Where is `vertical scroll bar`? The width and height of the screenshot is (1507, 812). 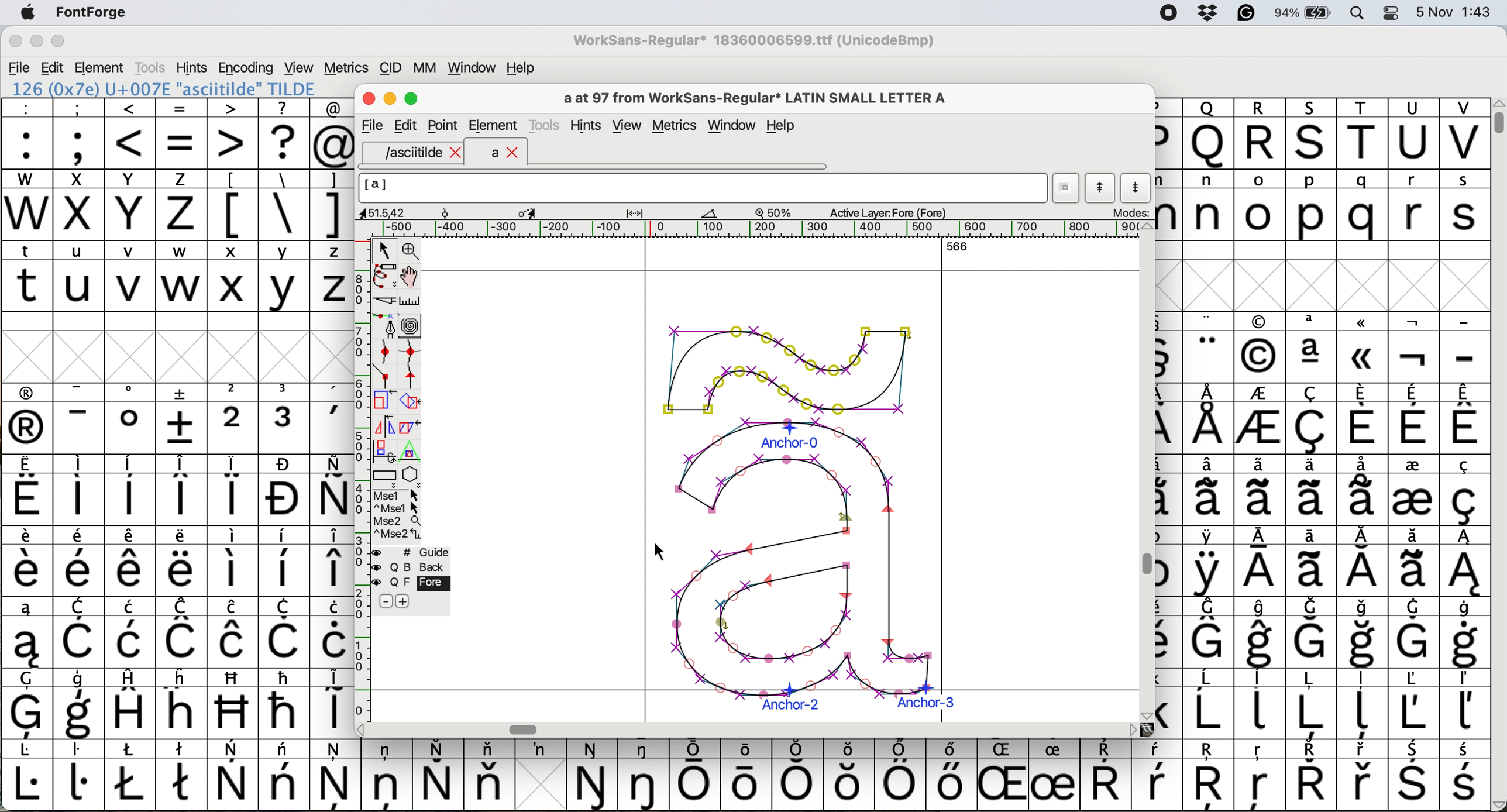 vertical scroll bar is located at coordinates (1496, 117).